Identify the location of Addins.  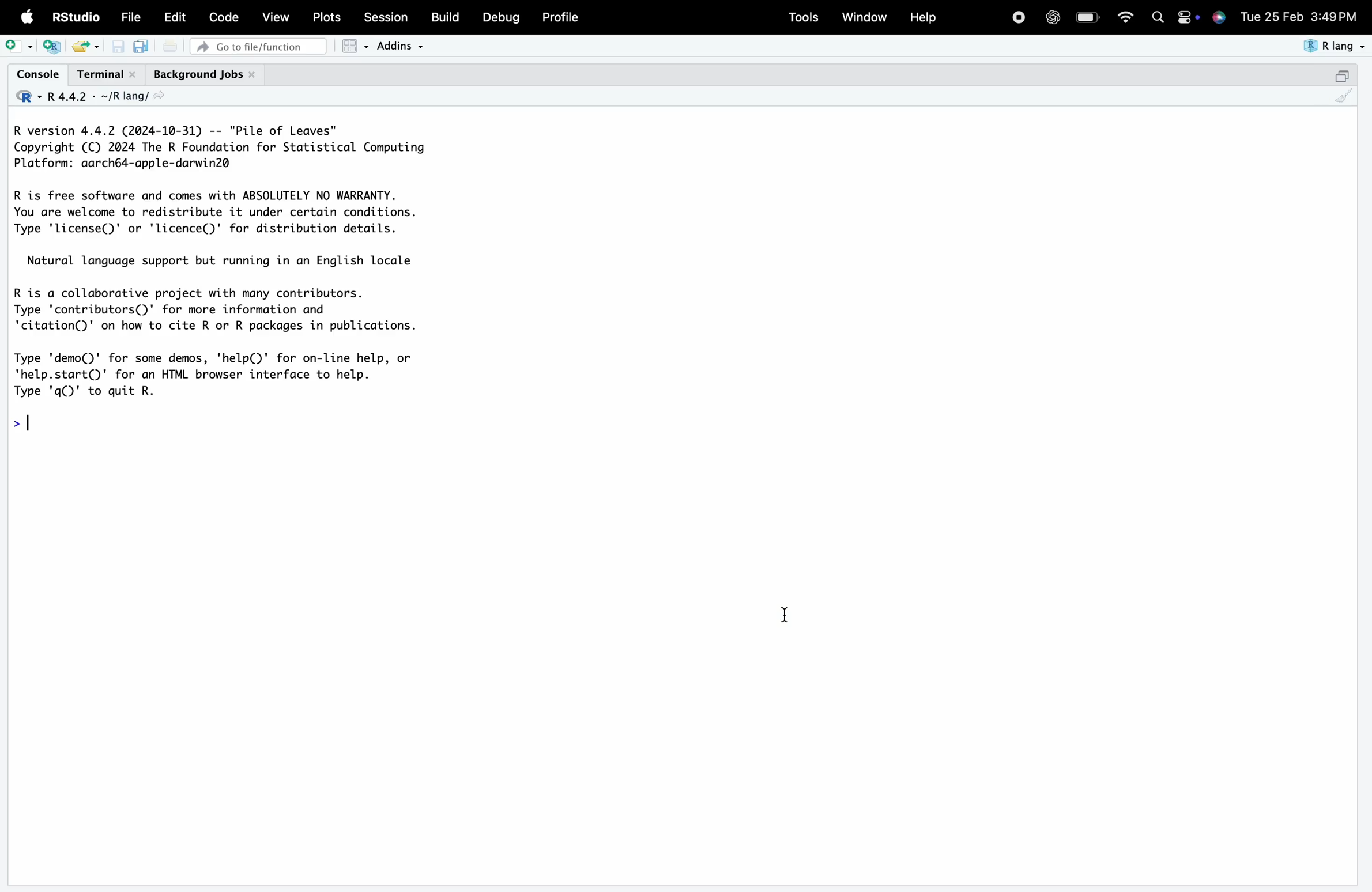
(399, 46).